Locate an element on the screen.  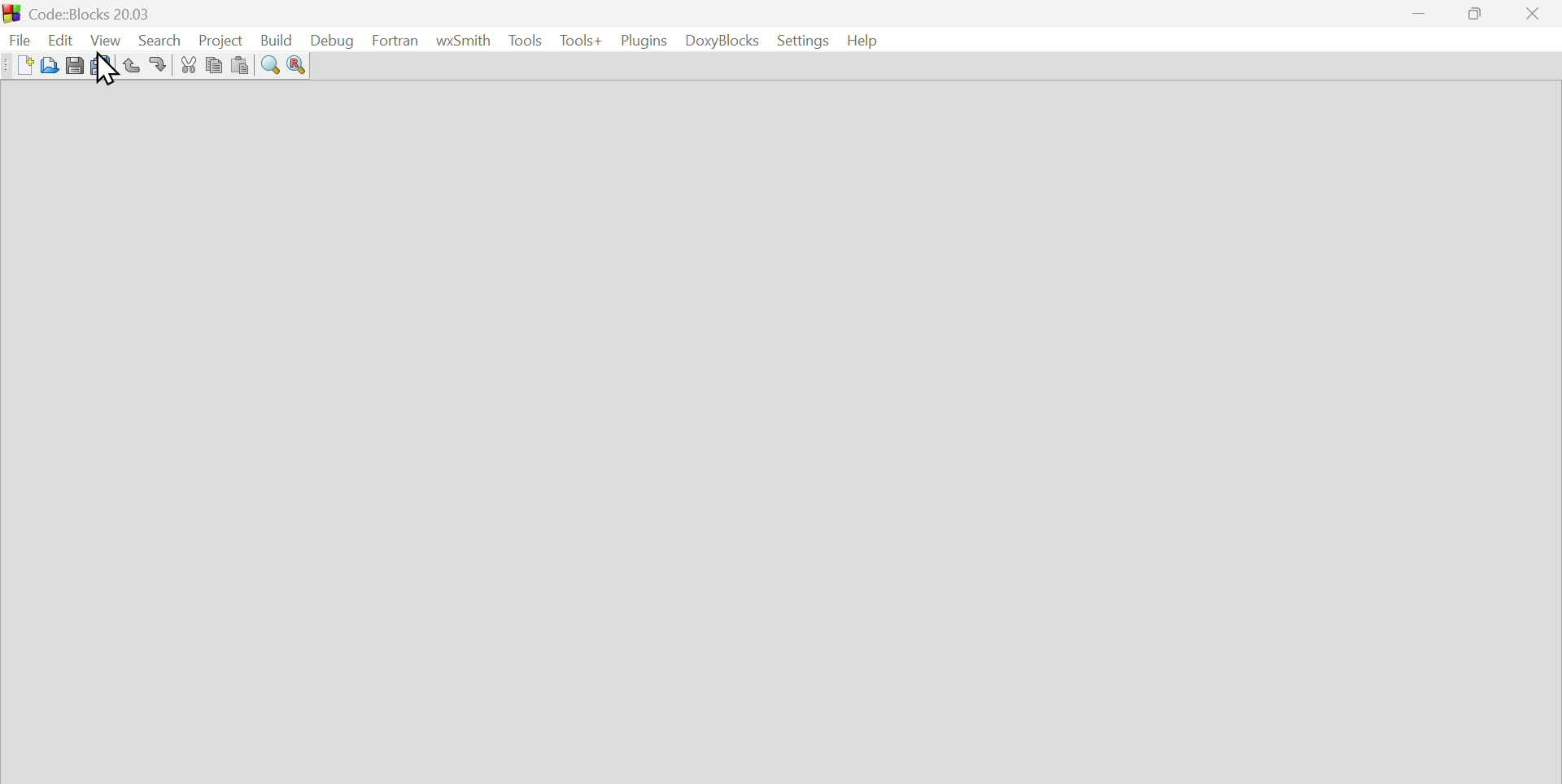
Close is located at coordinates (1533, 15).